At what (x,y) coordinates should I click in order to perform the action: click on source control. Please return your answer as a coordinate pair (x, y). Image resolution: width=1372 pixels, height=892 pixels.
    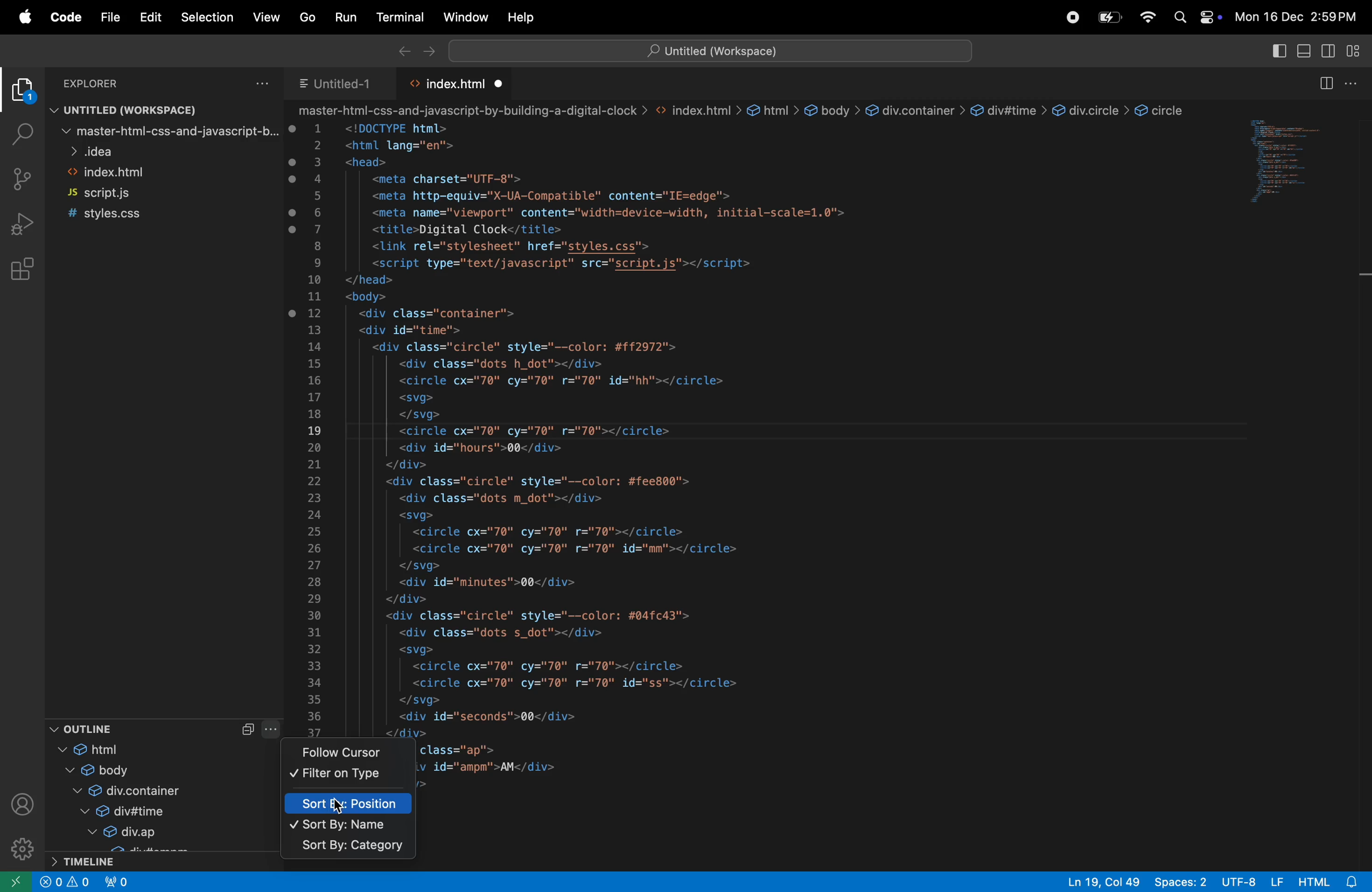
    Looking at the image, I should click on (22, 177).